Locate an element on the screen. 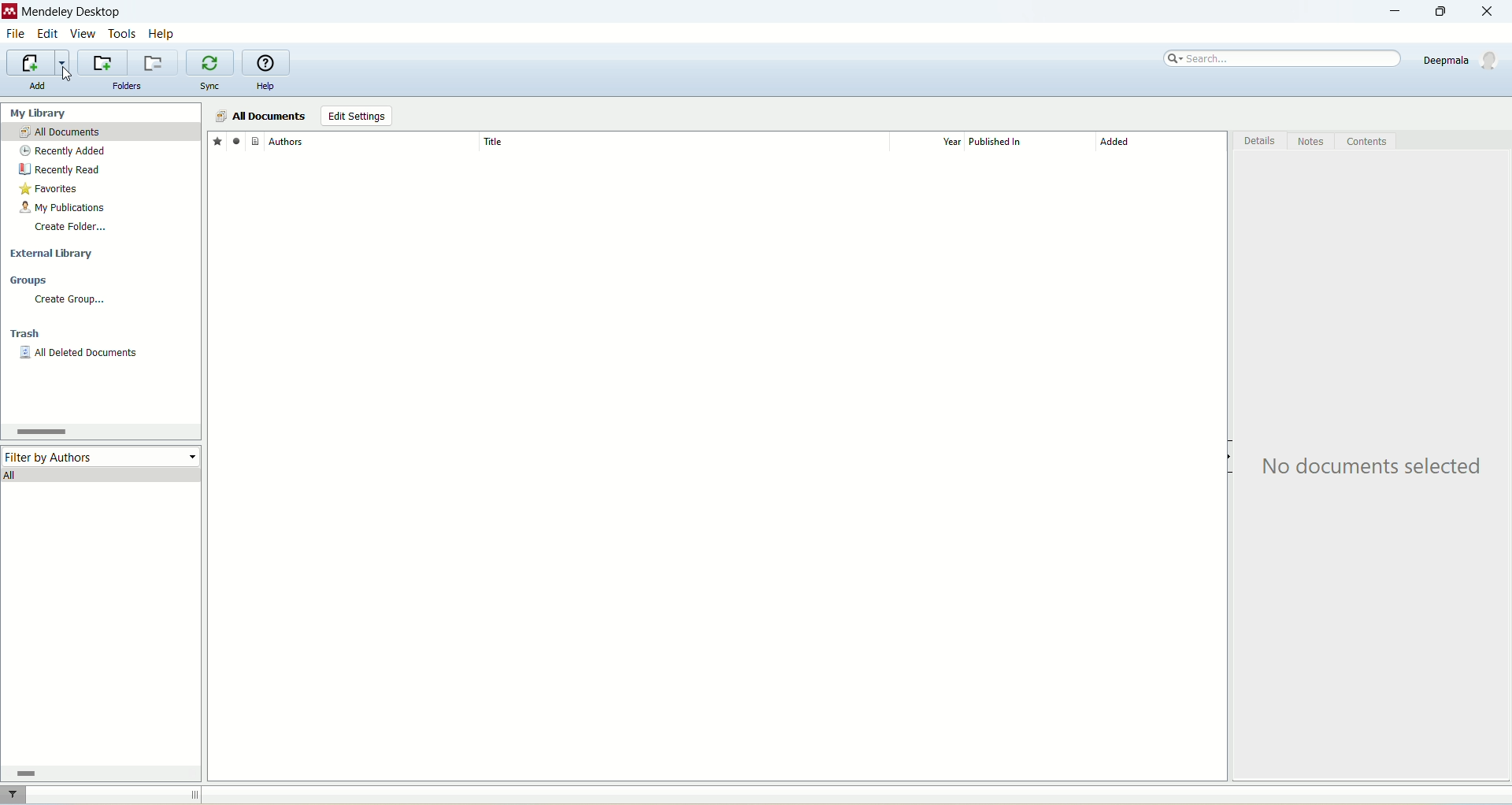 The image size is (1512, 805). document is located at coordinates (255, 140).